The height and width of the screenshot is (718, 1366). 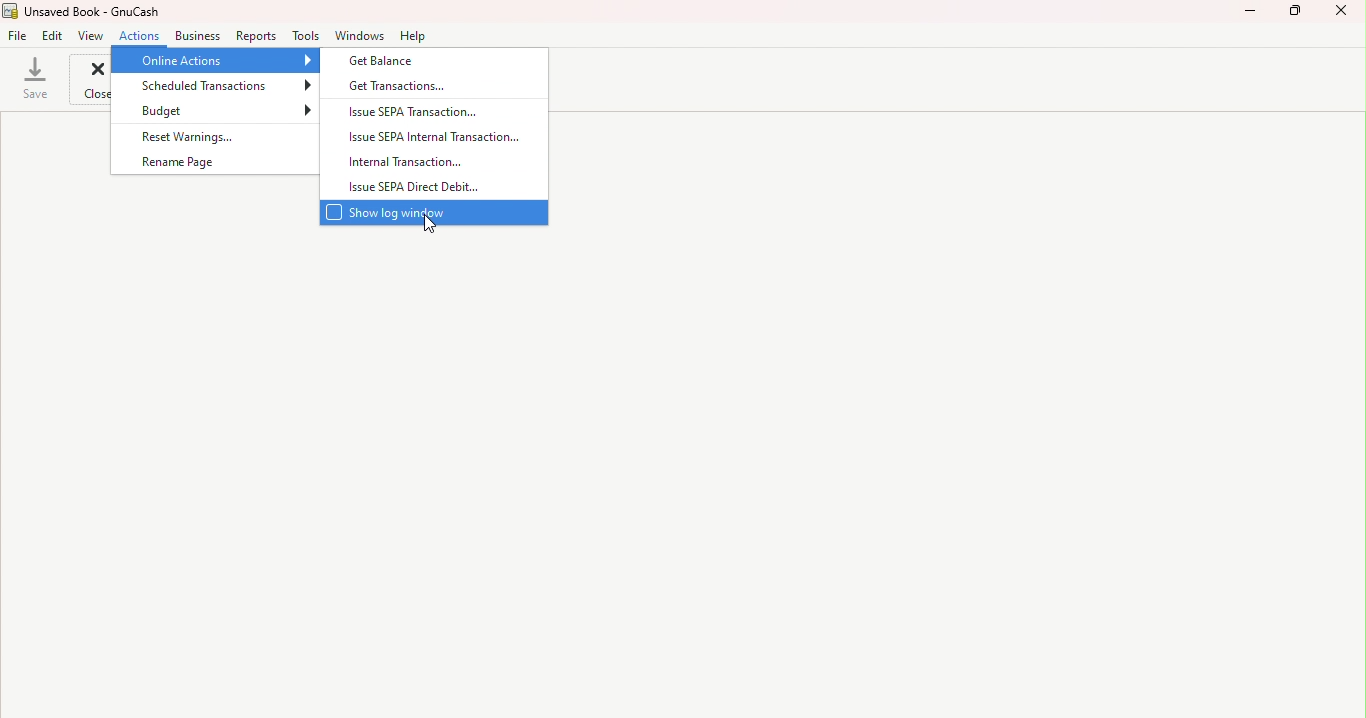 What do you see at coordinates (1343, 15) in the screenshot?
I see `Close` at bounding box center [1343, 15].